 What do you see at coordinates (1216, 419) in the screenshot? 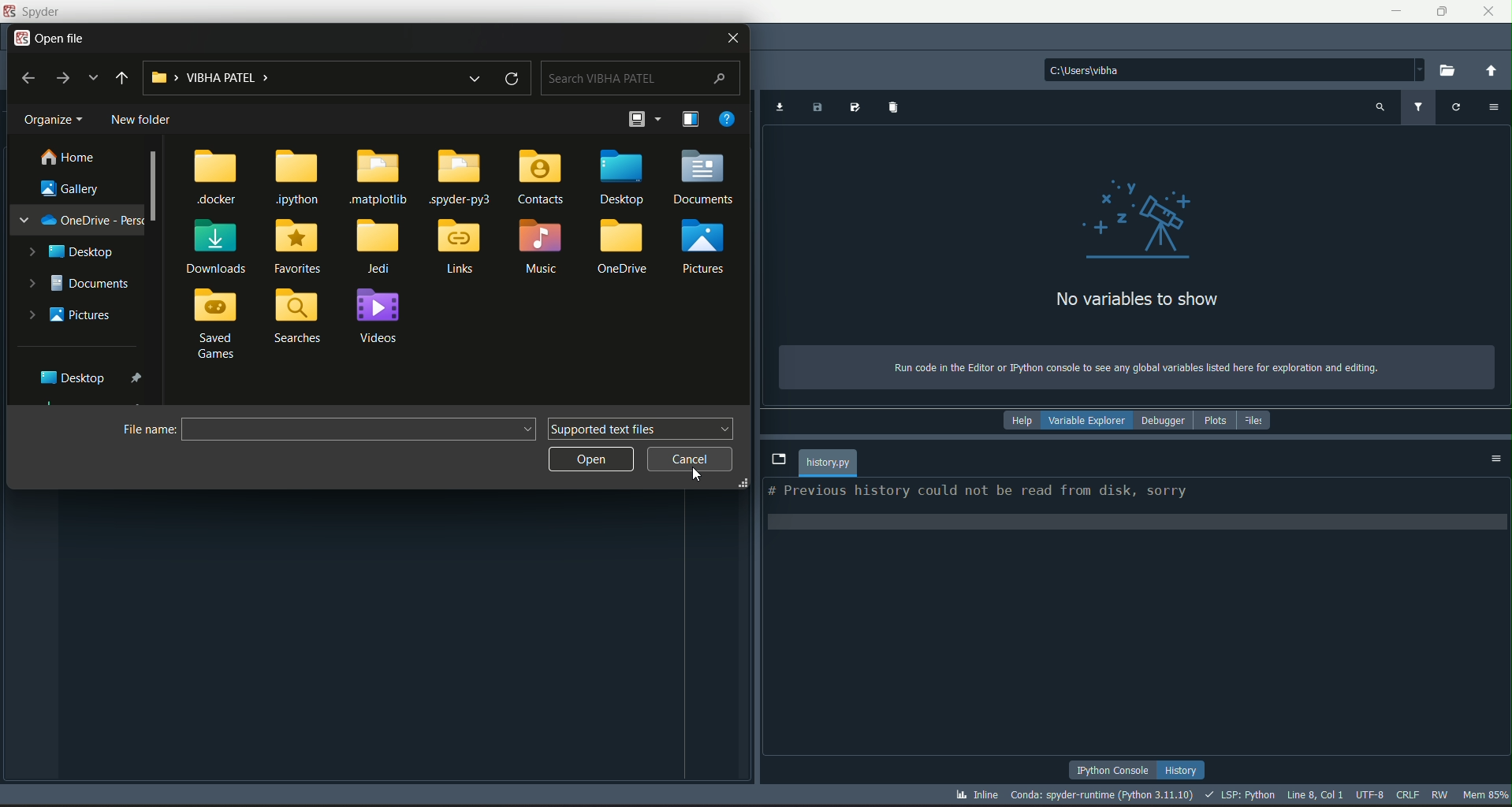
I see `plots` at bounding box center [1216, 419].